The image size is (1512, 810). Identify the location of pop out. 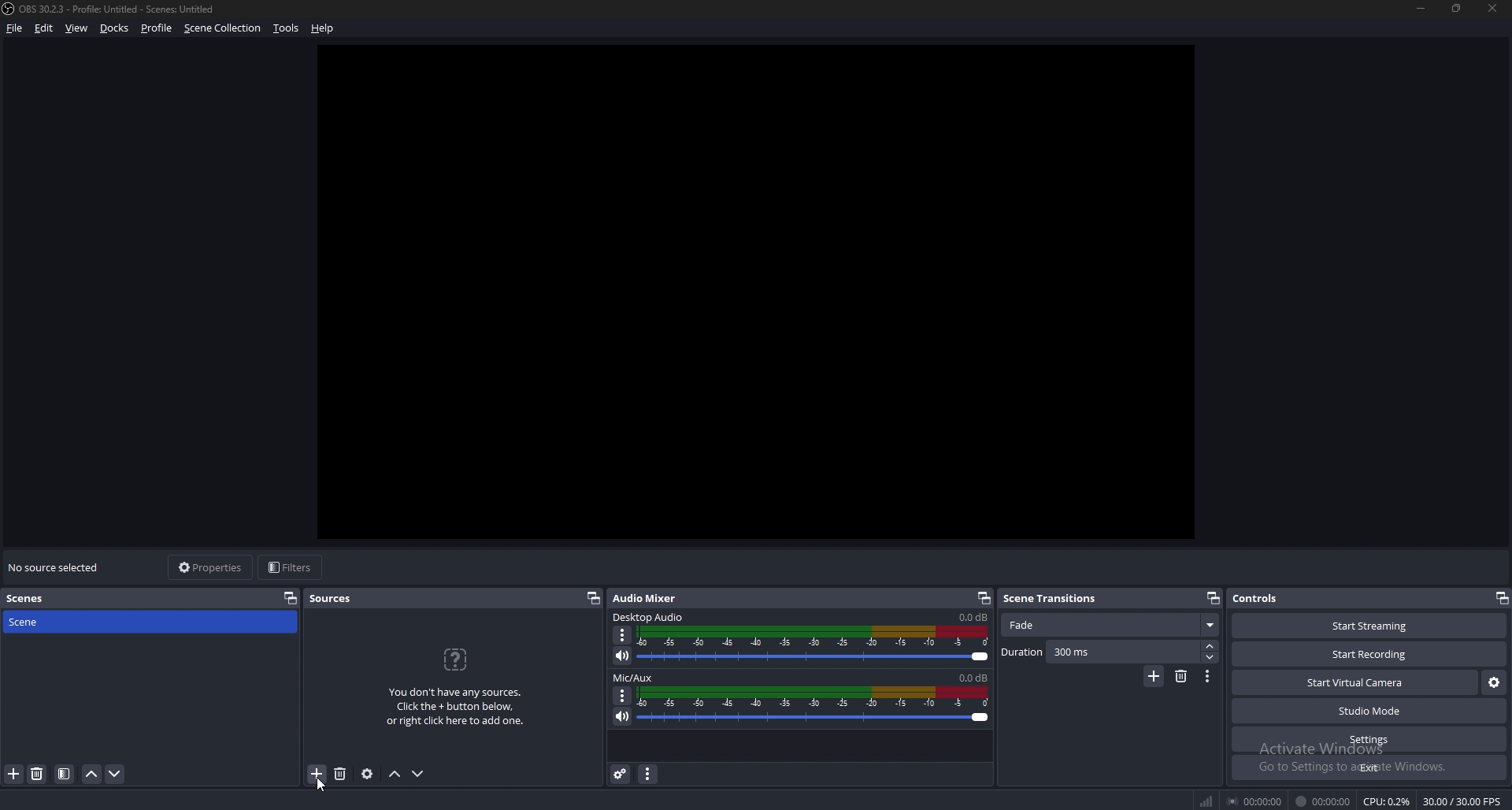
(287, 597).